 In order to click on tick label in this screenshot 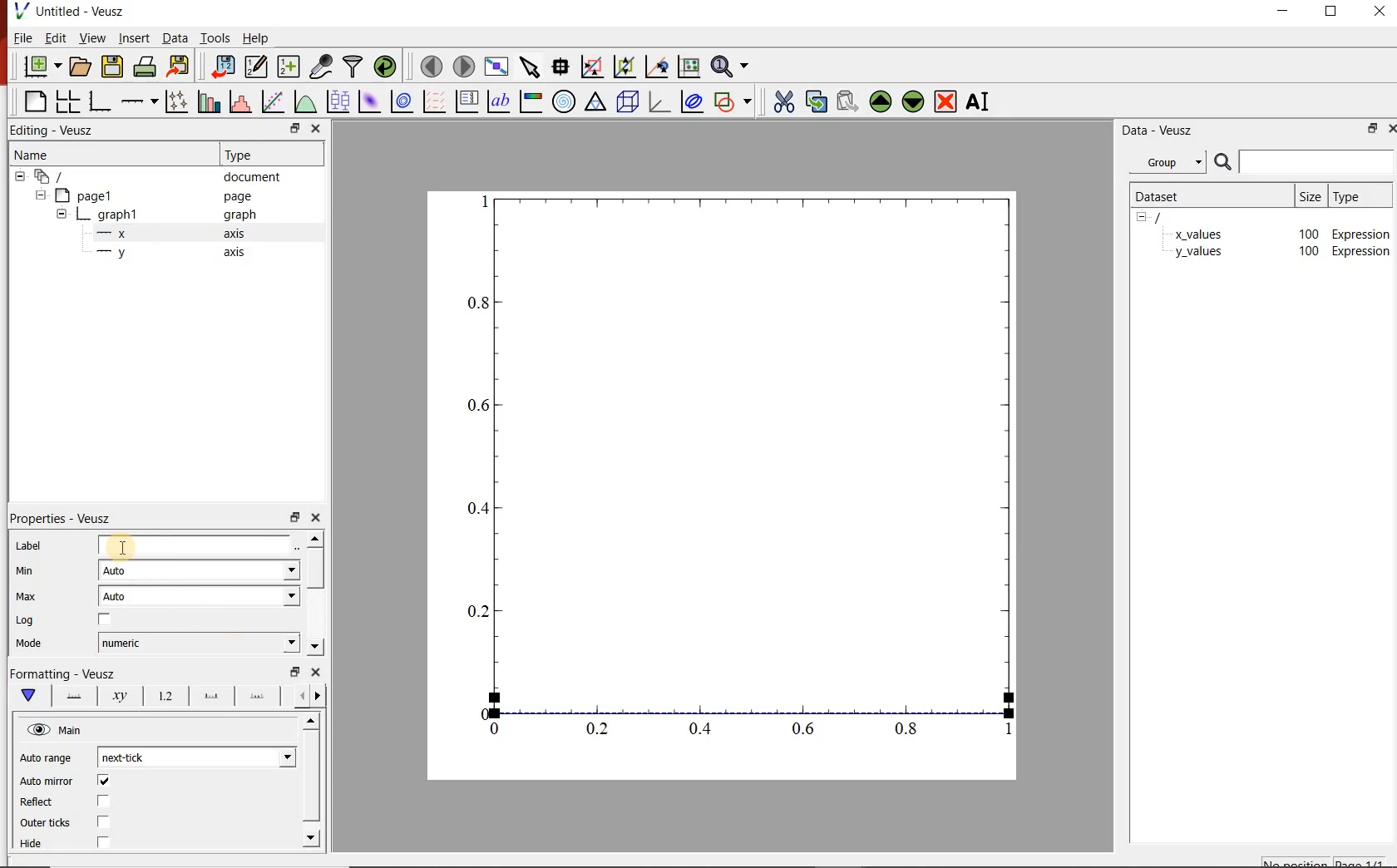, I will do `click(167, 696)`.